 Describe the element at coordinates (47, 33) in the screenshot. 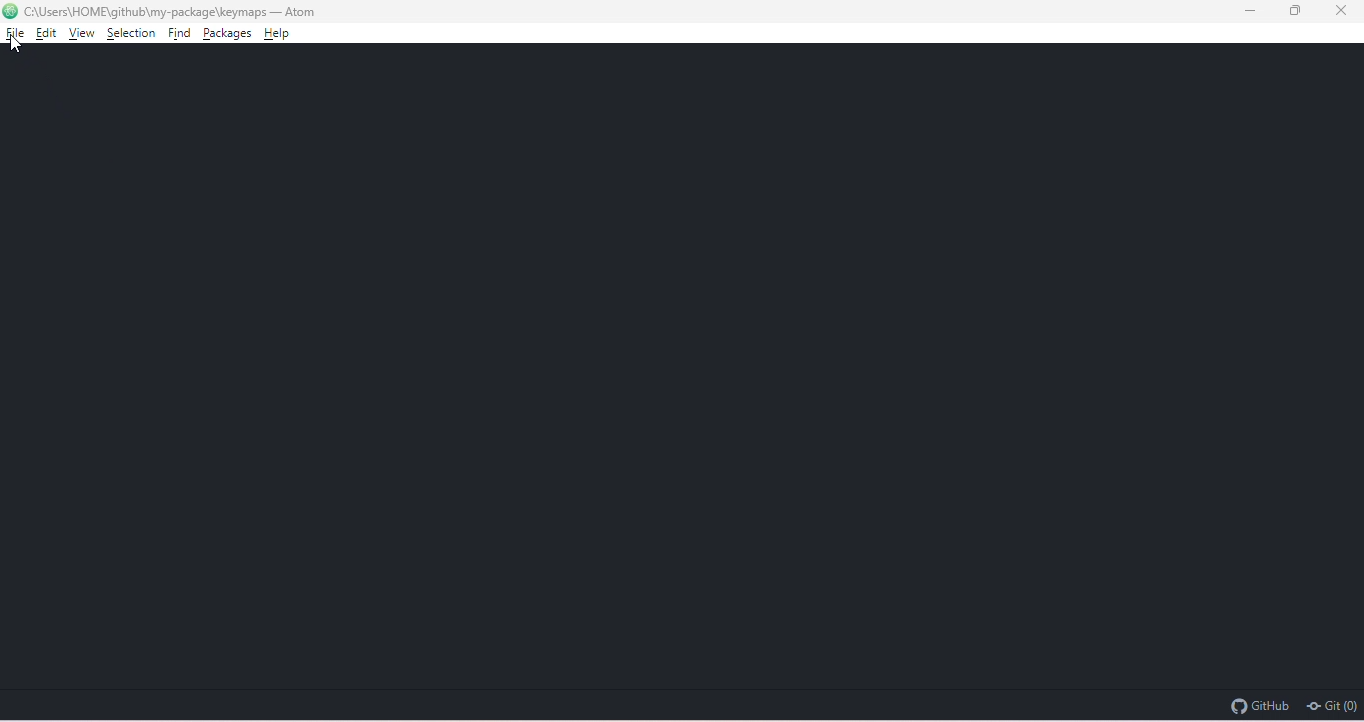

I see `edit` at that location.